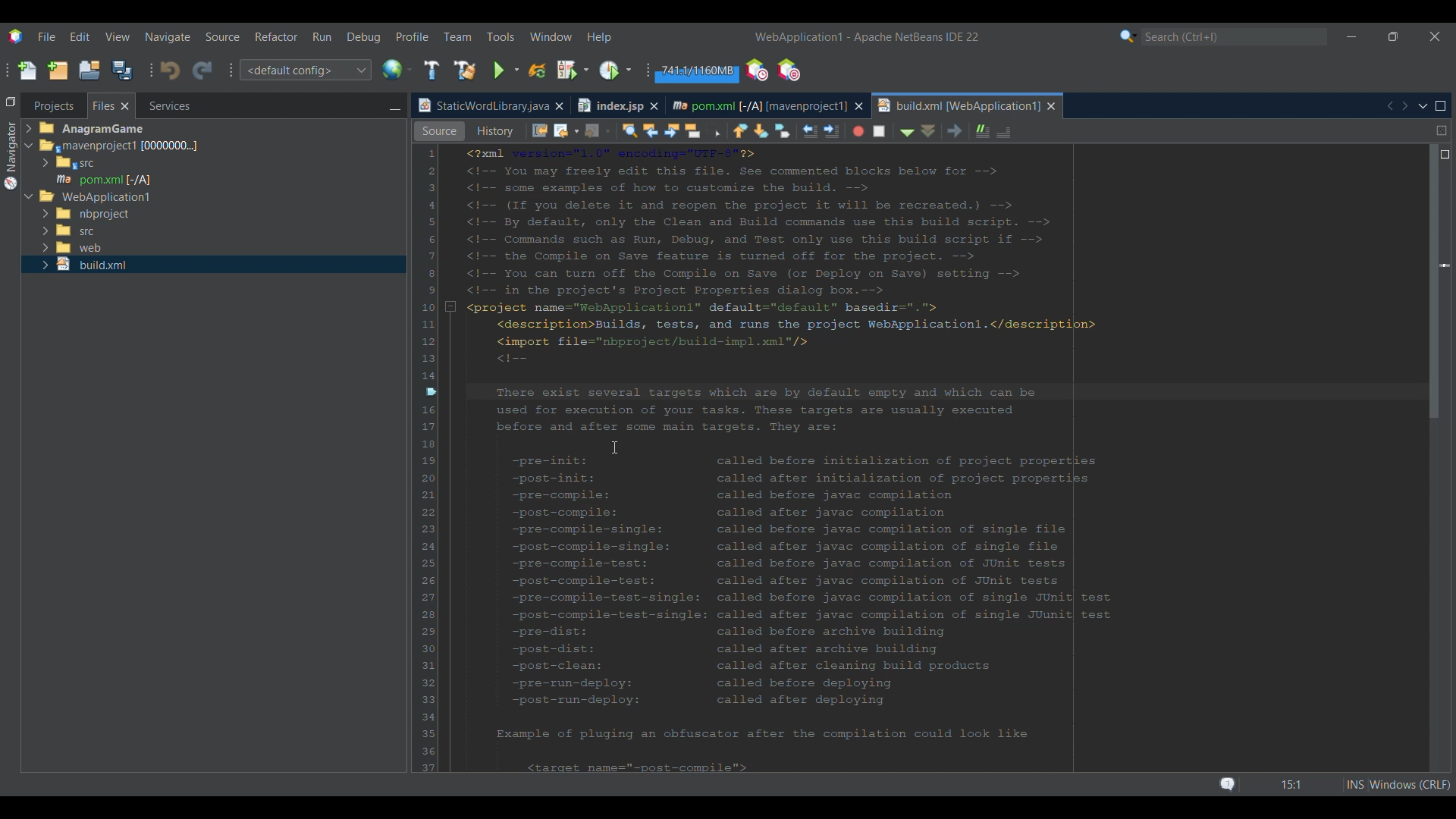 The image size is (1456, 819). What do you see at coordinates (27, 71) in the screenshot?
I see `New file` at bounding box center [27, 71].